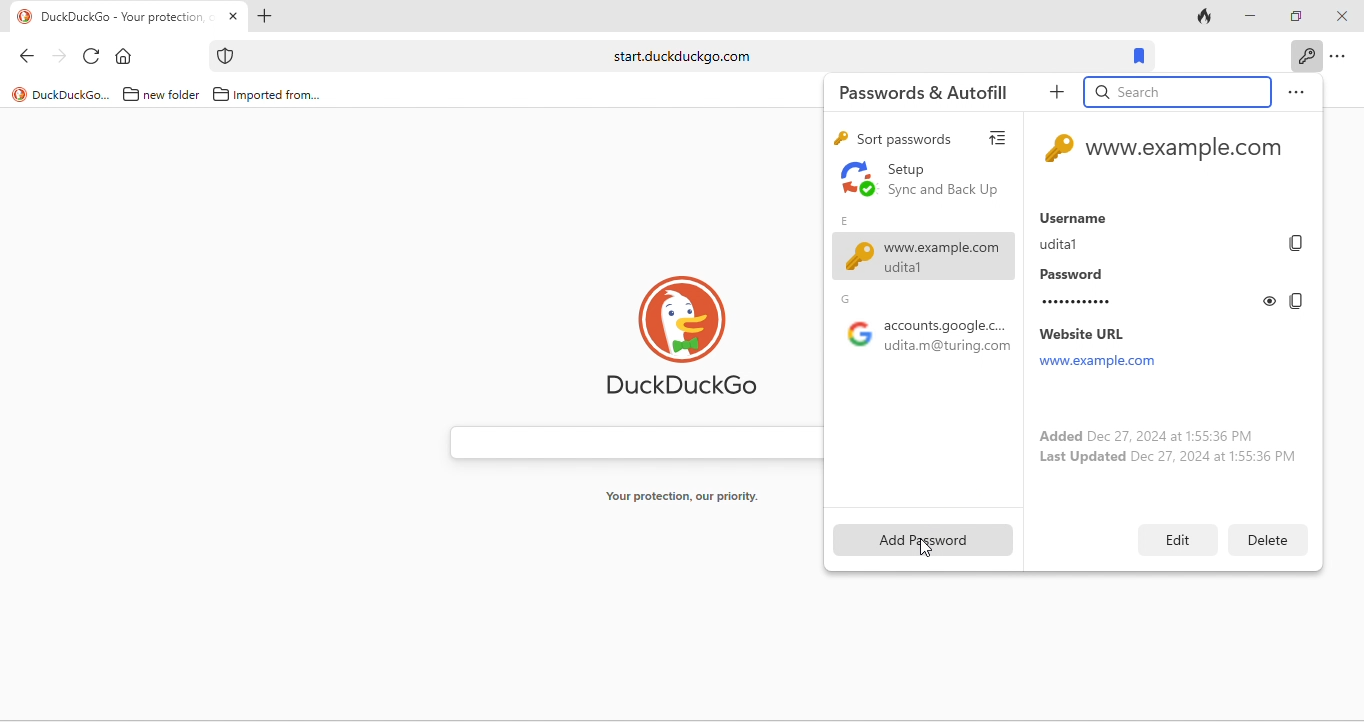 This screenshot has height=722, width=1364. What do you see at coordinates (683, 333) in the screenshot?
I see `duck duck go logo` at bounding box center [683, 333].